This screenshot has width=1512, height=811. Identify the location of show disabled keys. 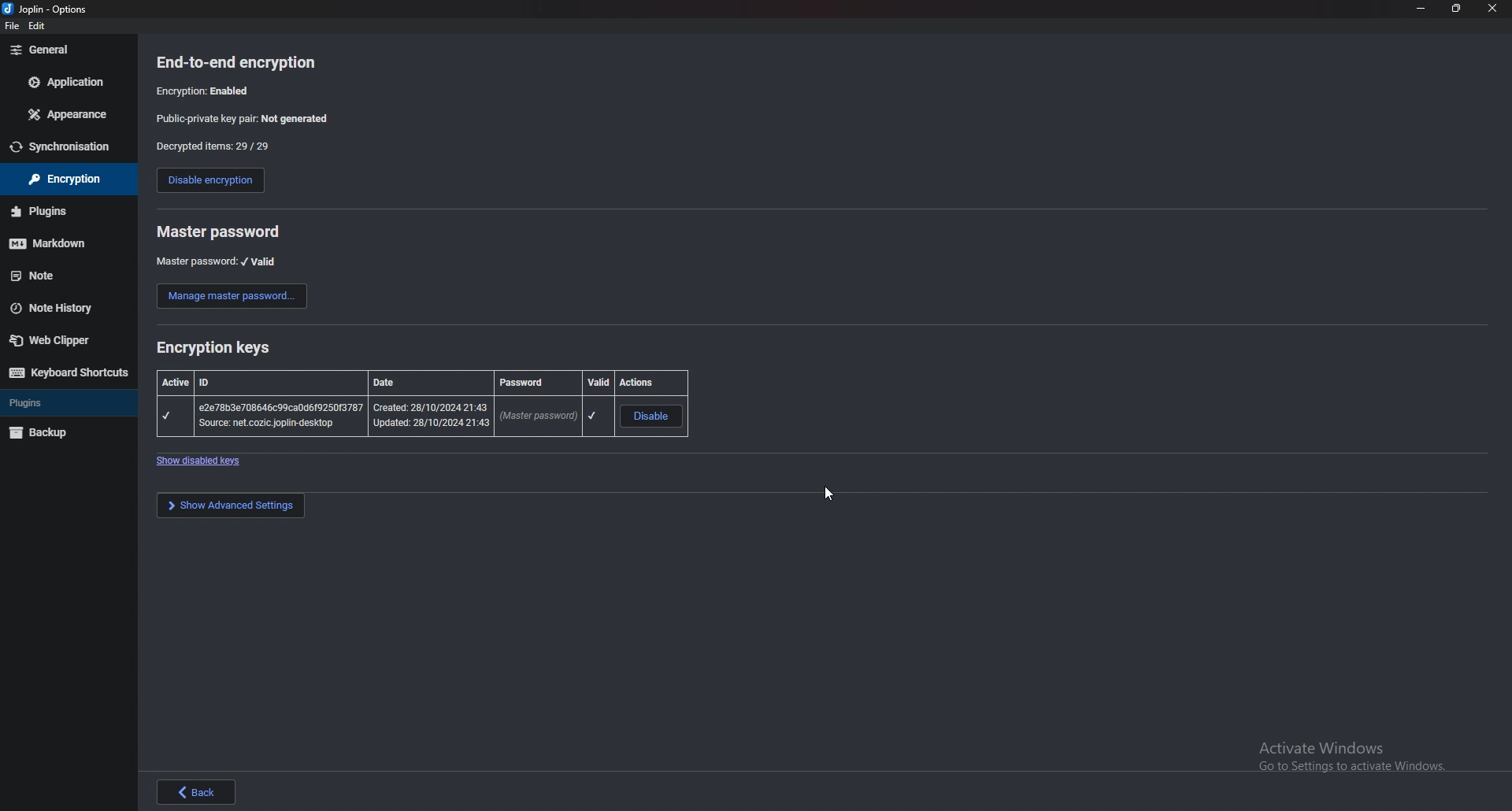
(217, 349).